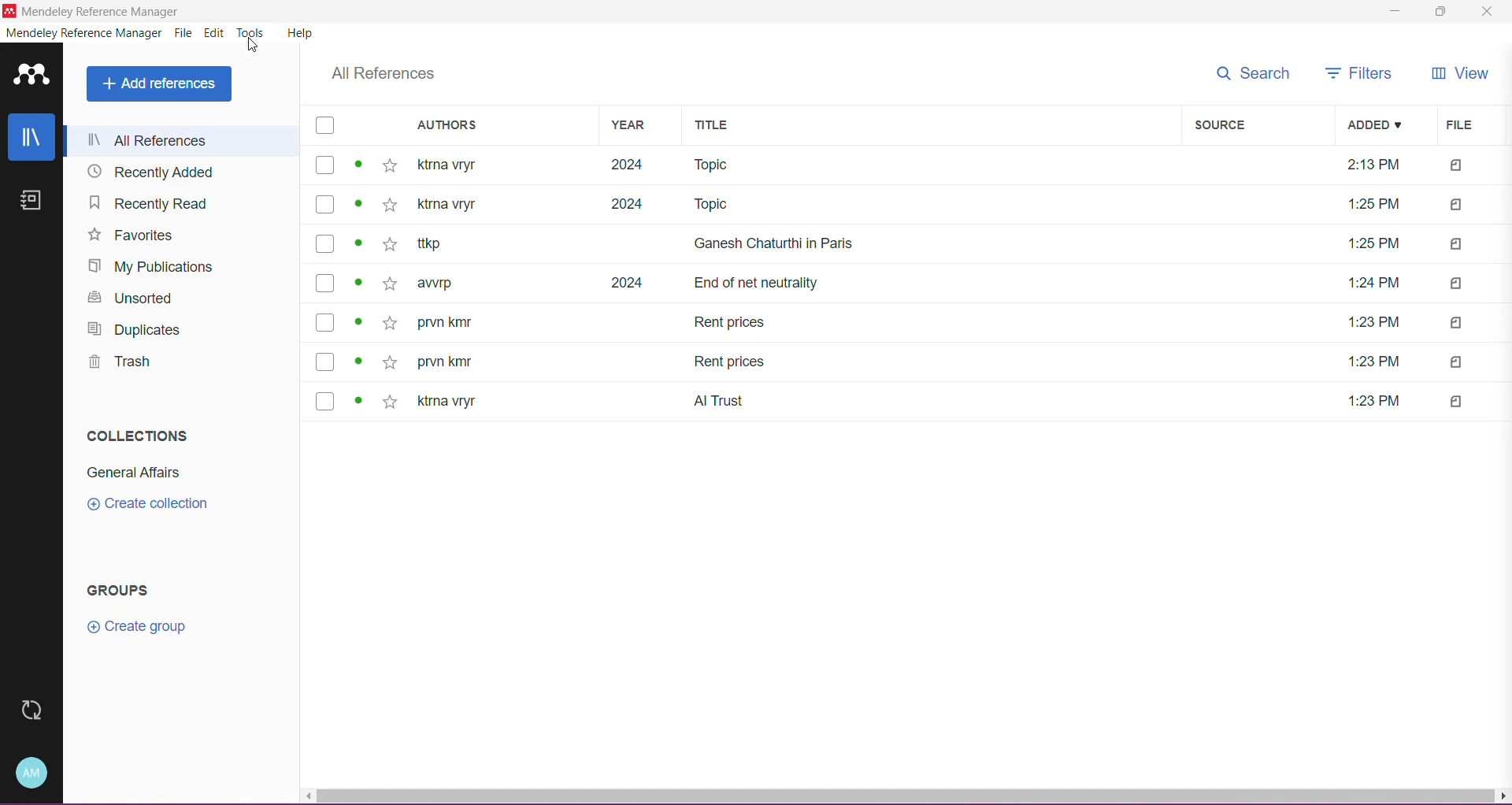  I want to click on file, so click(1458, 323).